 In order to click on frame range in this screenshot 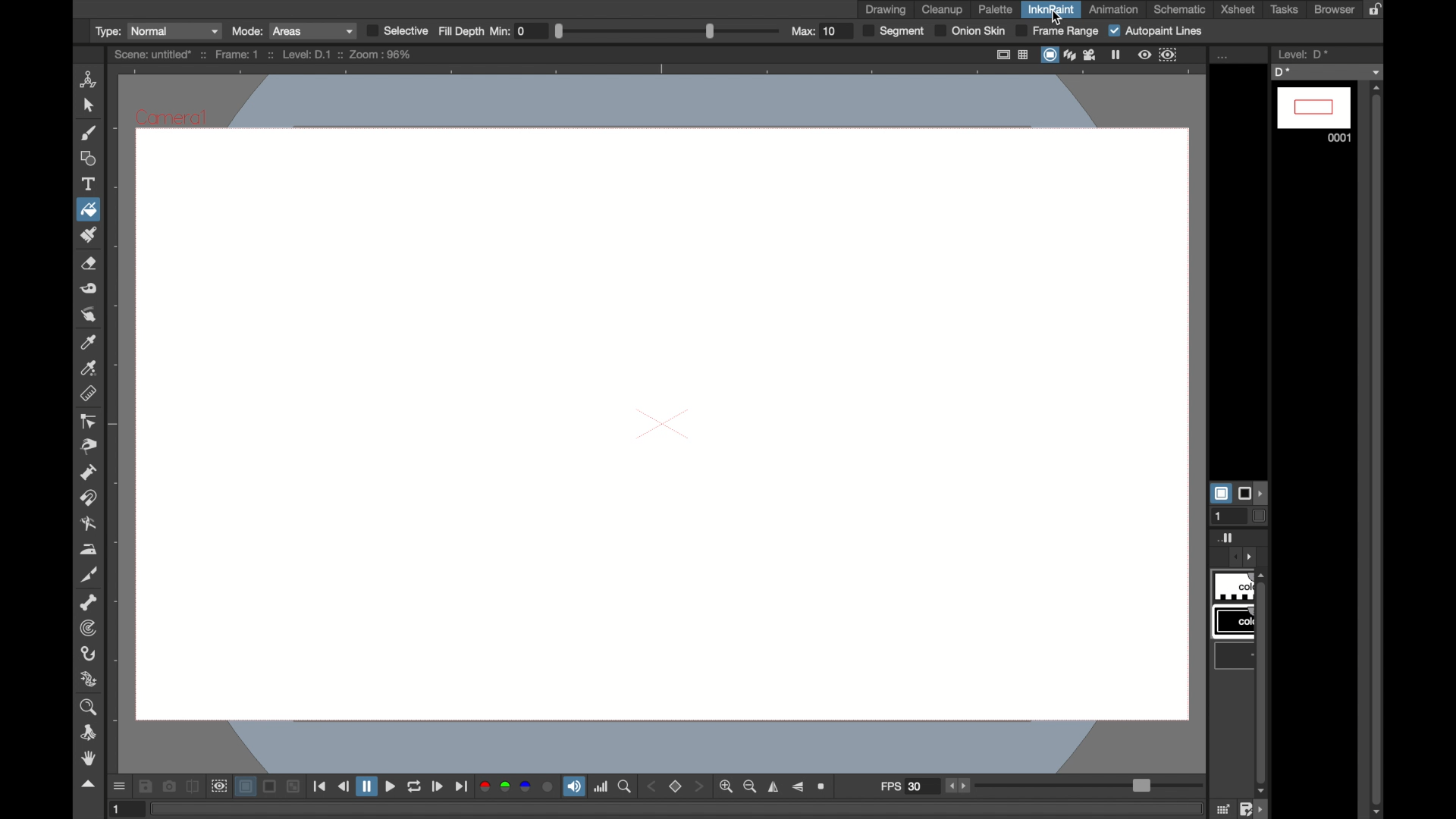, I will do `click(1059, 31)`.